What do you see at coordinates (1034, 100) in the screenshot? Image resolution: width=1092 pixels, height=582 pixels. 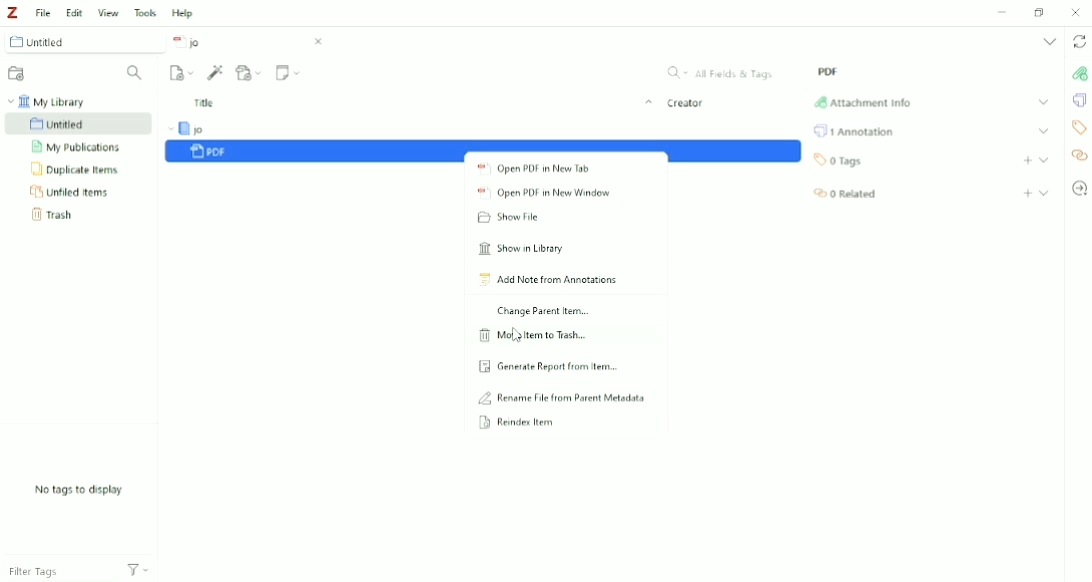 I see `Expand Section` at bounding box center [1034, 100].